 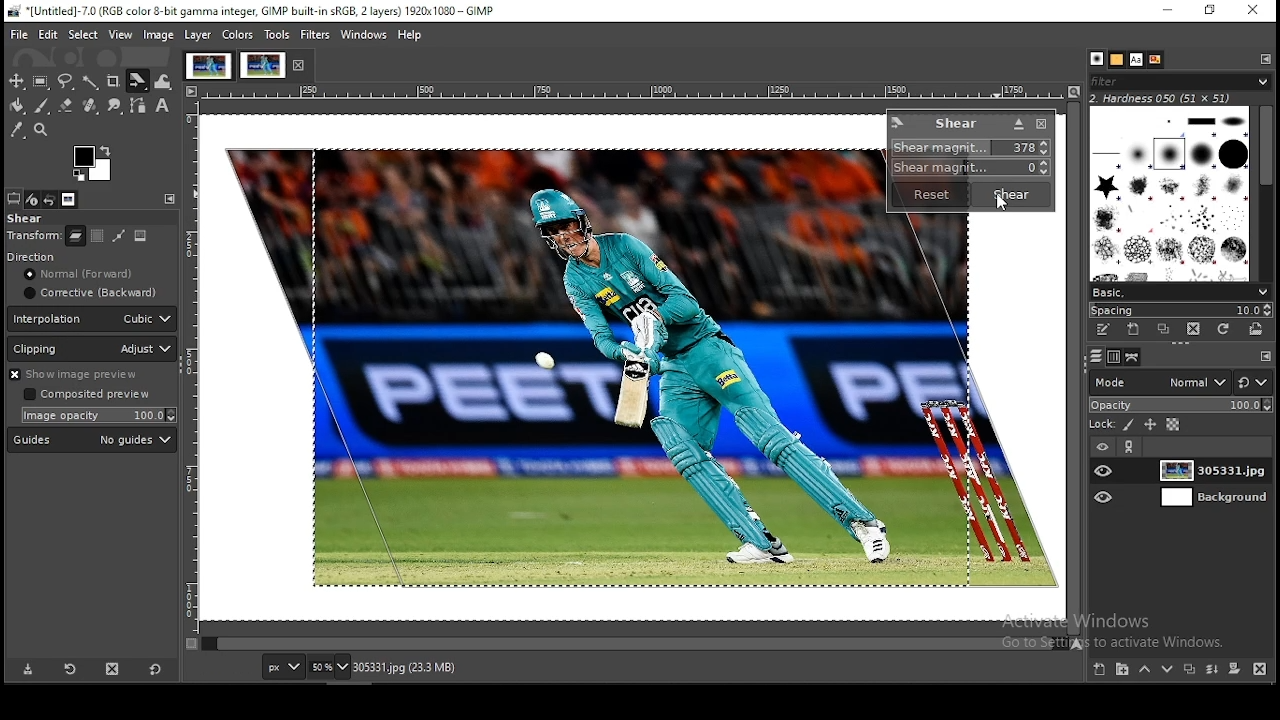 I want to click on image, so click(x=140, y=235).